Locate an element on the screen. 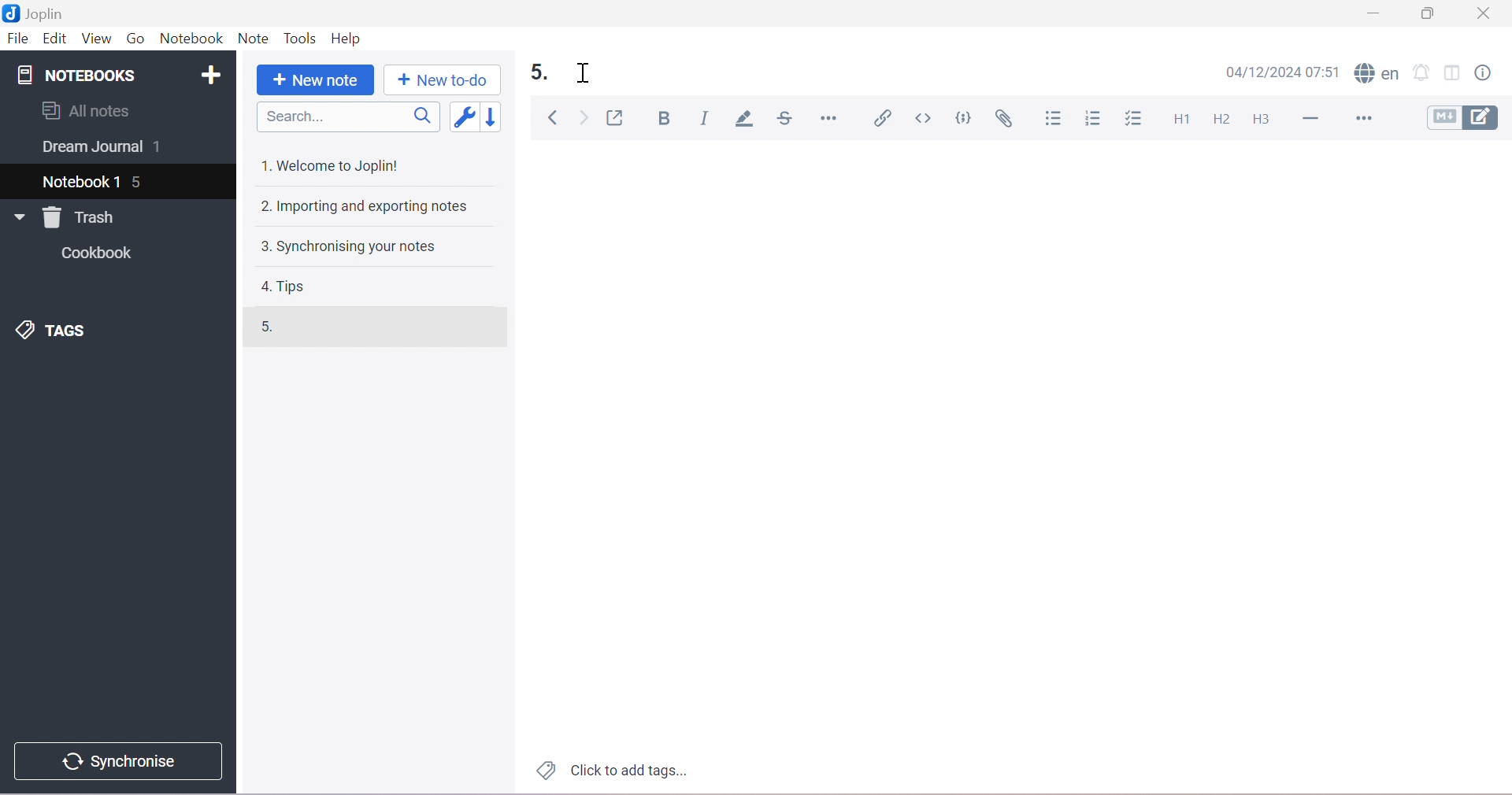  4. Tips is located at coordinates (286, 287).